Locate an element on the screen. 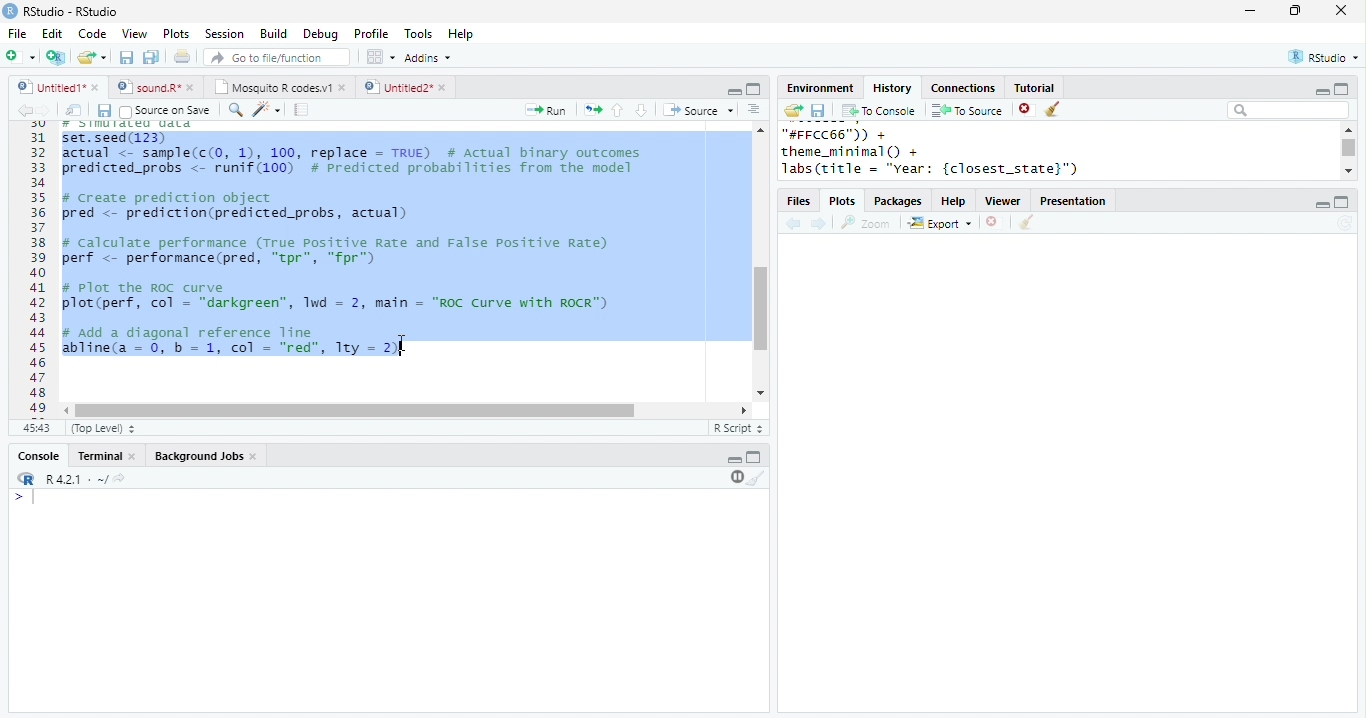 The height and width of the screenshot is (718, 1366). up is located at coordinates (616, 110).